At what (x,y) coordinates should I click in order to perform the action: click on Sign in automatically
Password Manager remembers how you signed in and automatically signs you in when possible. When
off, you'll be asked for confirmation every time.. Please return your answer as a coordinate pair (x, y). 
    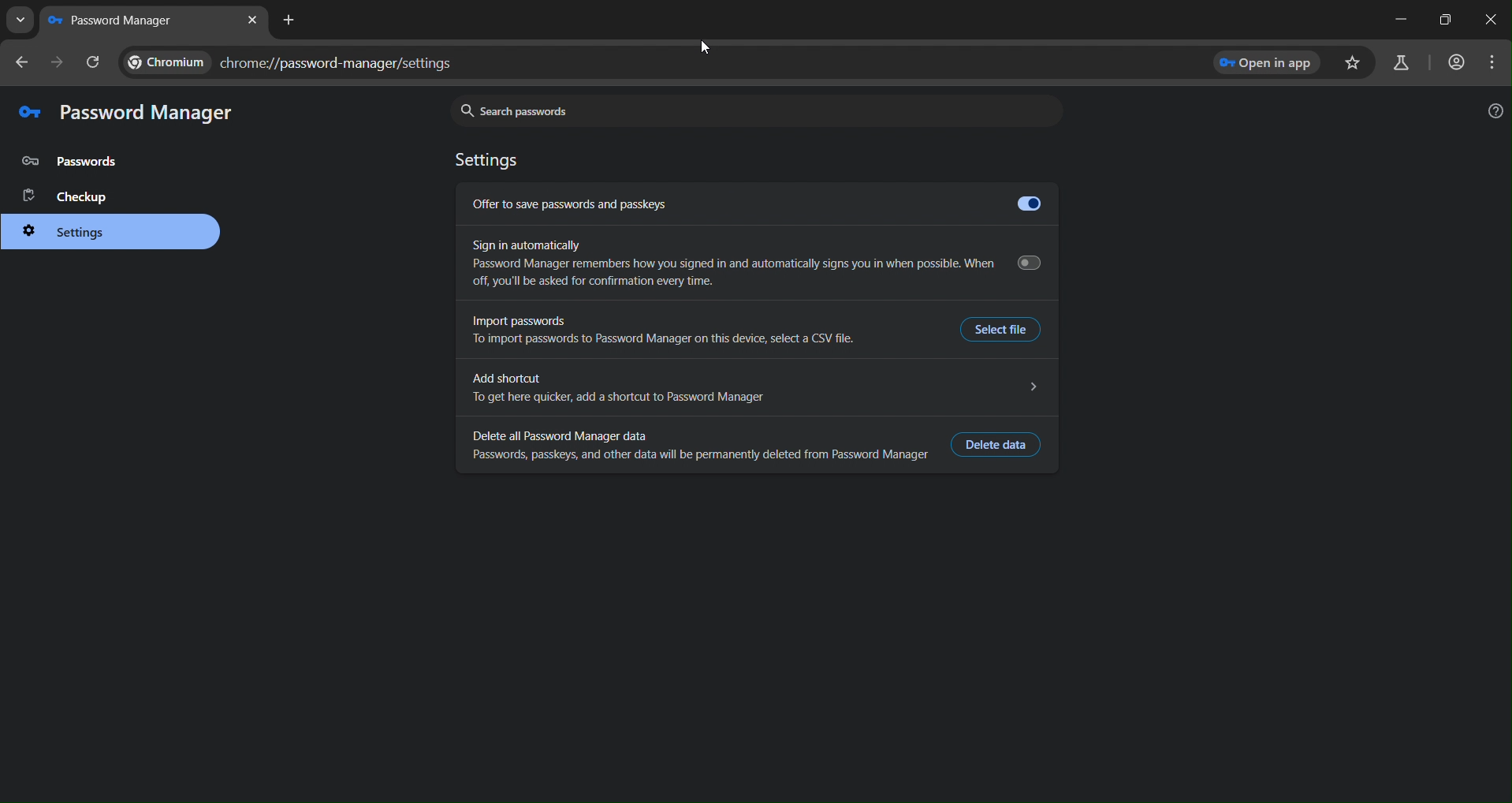
    Looking at the image, I should click on (761, 266).